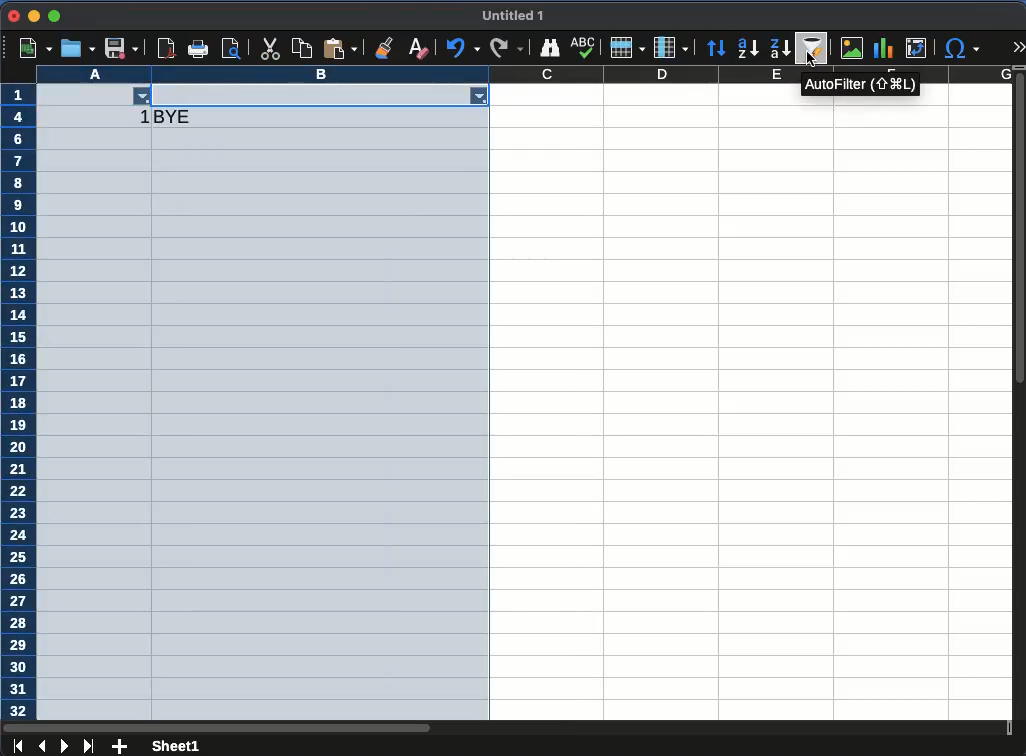 This screenshot has width=1026, height=756. What do you see at coordinates (18, 402) in the screenshot?
I see `row` at bounding box center [18, 402].